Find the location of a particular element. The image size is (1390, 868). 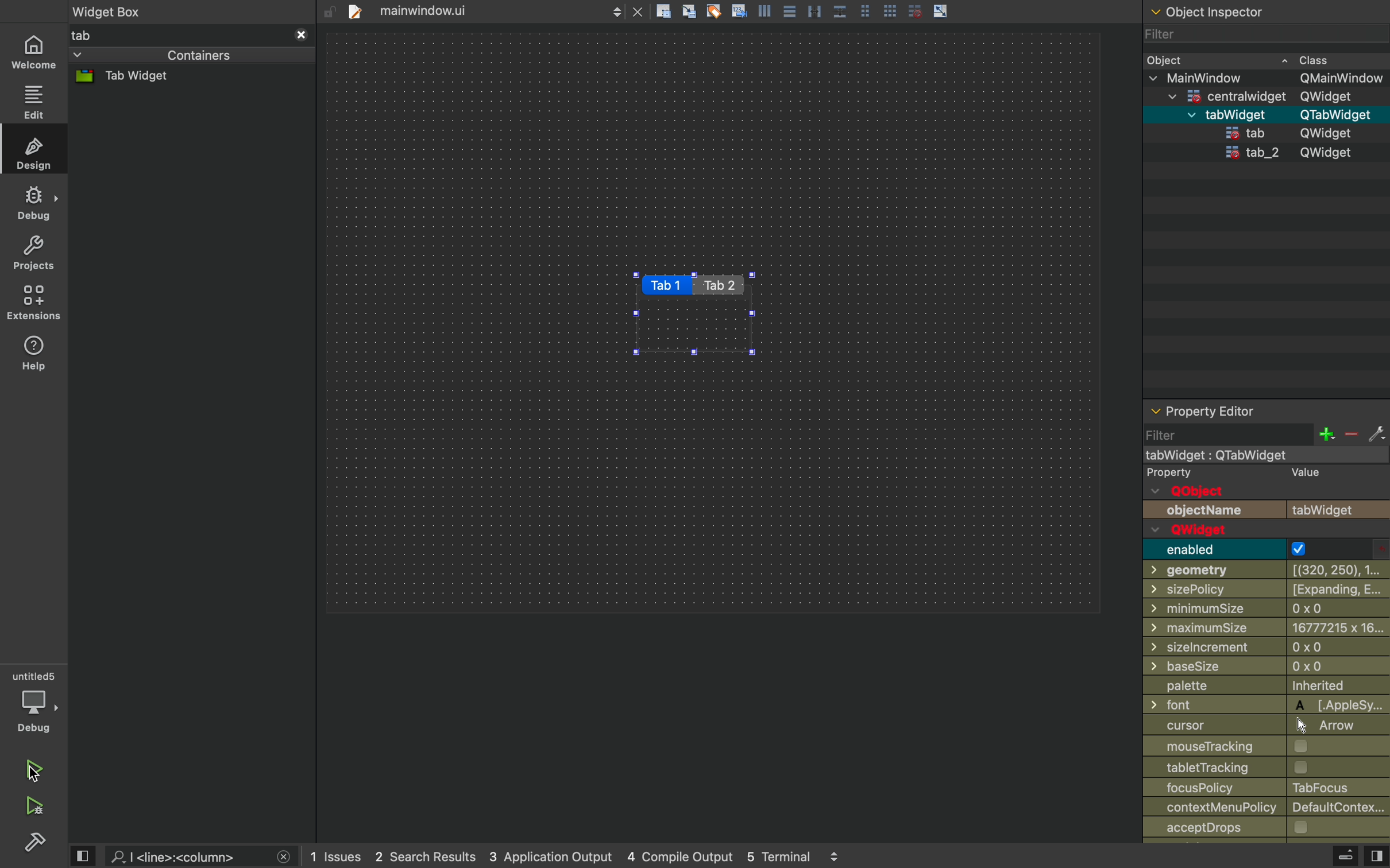

create rectangle is located at coordinates (663, 10).